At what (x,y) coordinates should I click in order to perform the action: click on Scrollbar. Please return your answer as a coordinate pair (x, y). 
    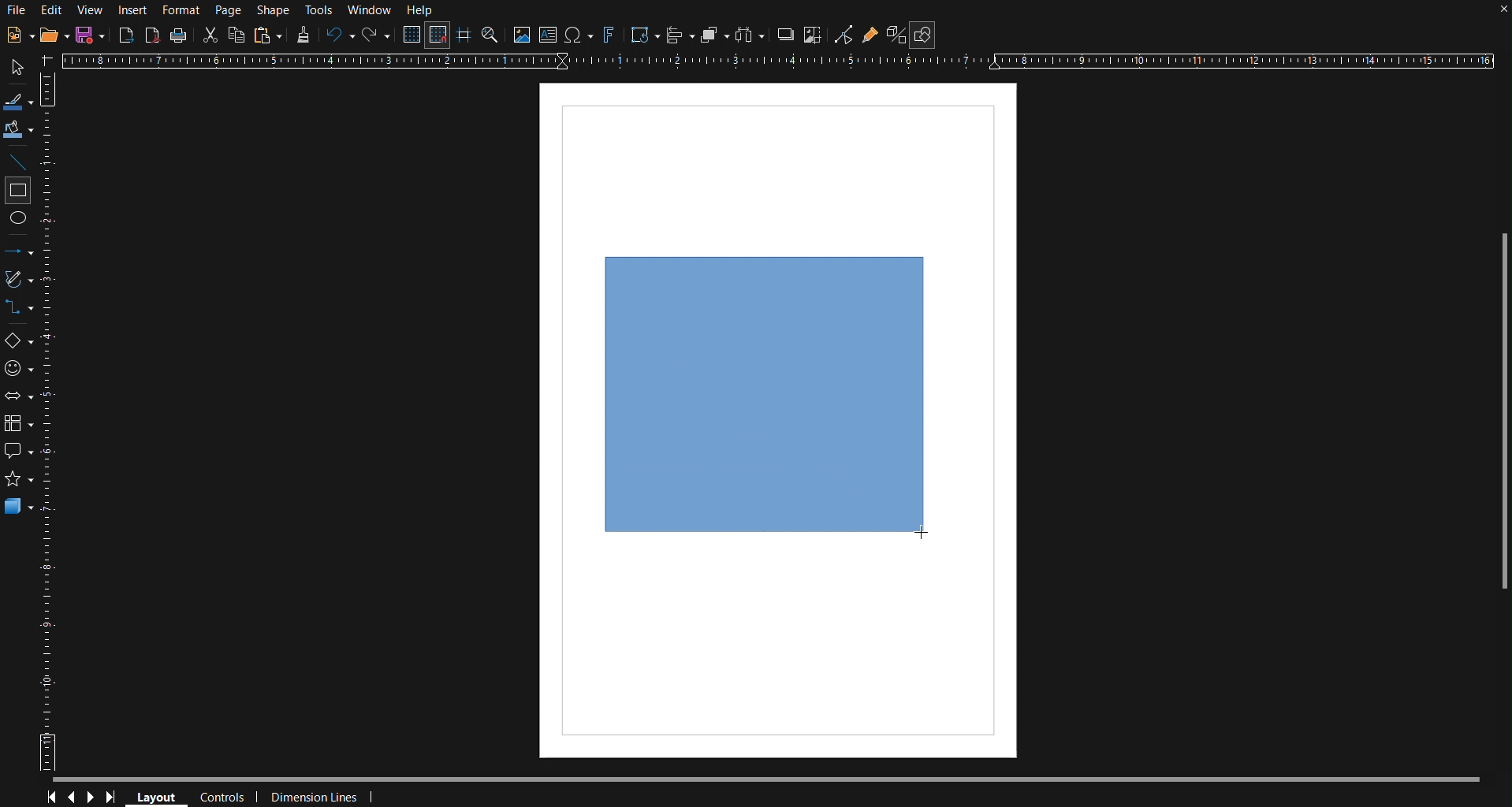
    Looking at the image, I should click on (779, 780).